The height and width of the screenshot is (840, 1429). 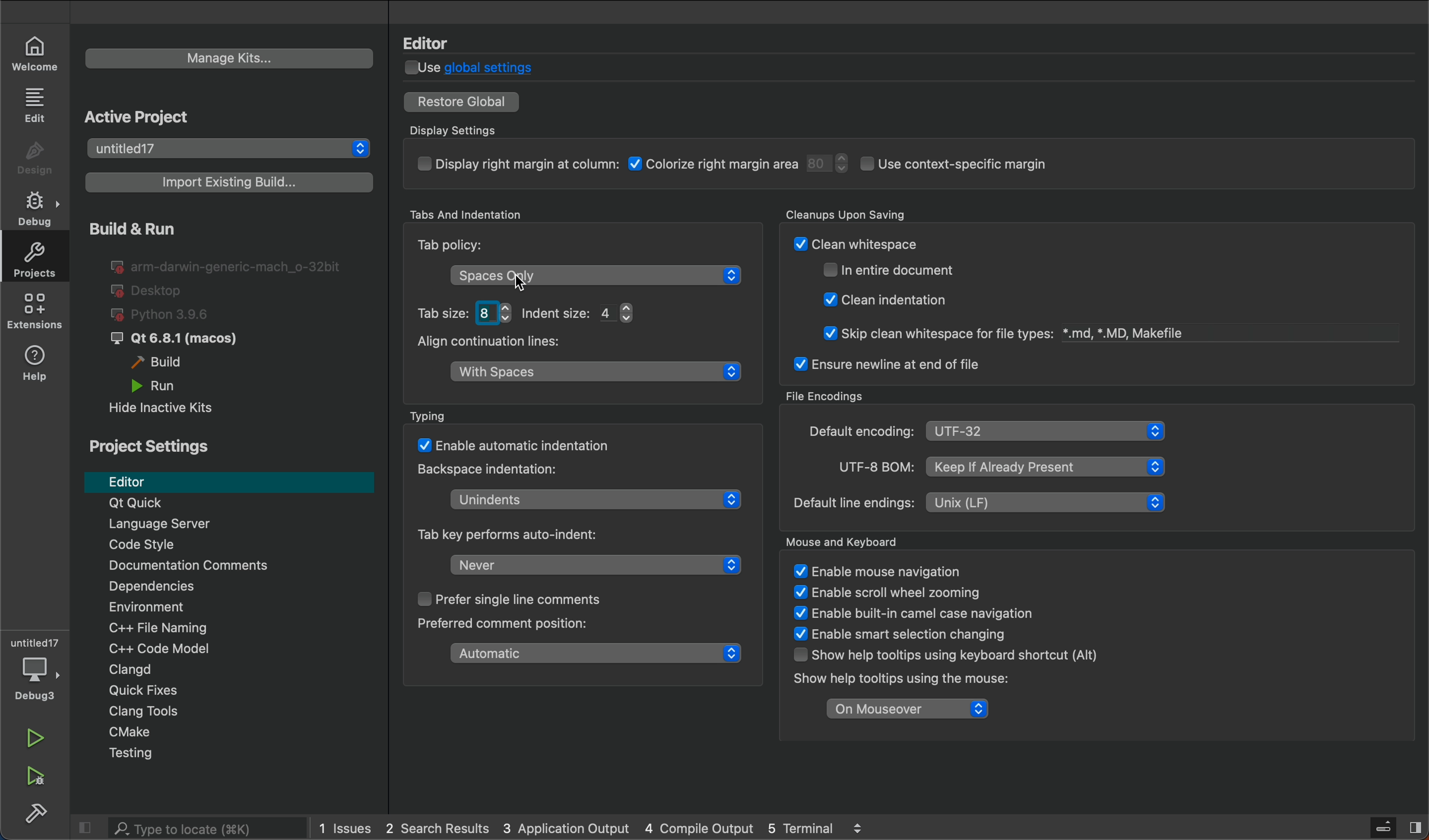 What do you see at coordinates (39, 159) in the screenshot?
I see `design` at bounding box center [39, 159].